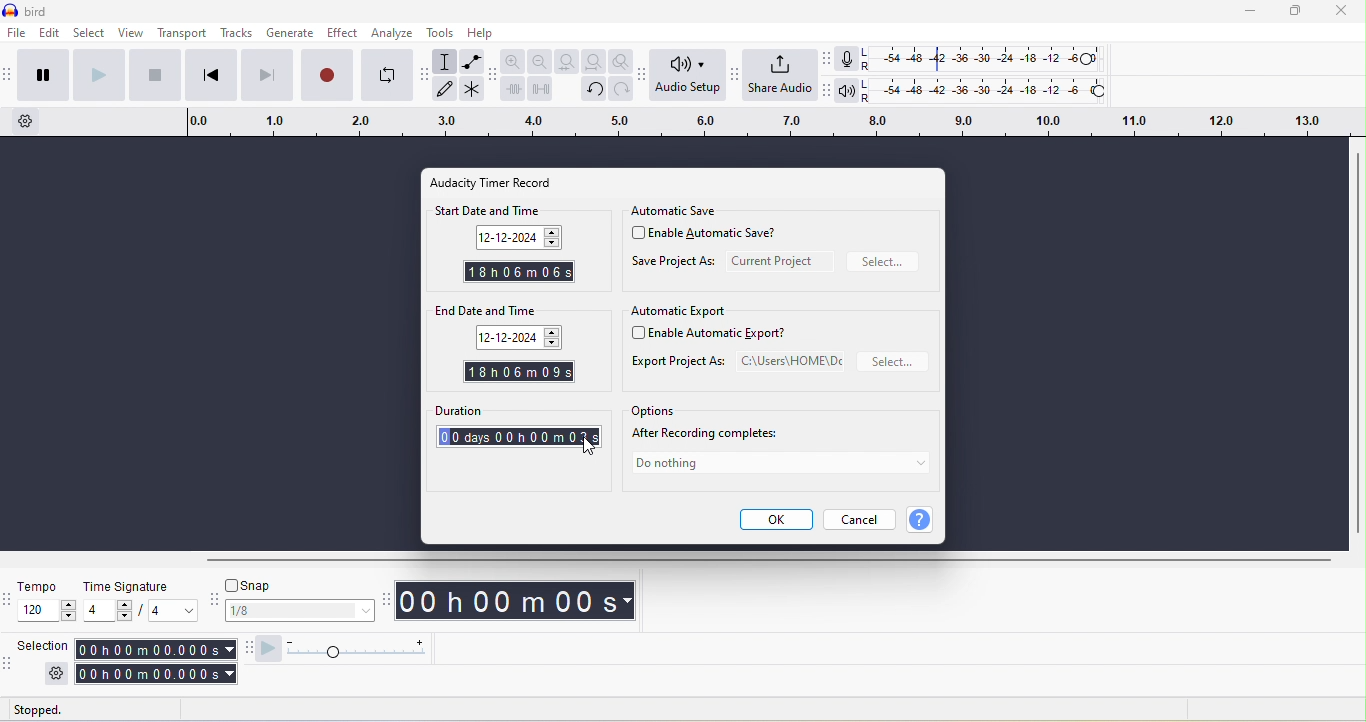  I want to click on settings, so click(55, 674).